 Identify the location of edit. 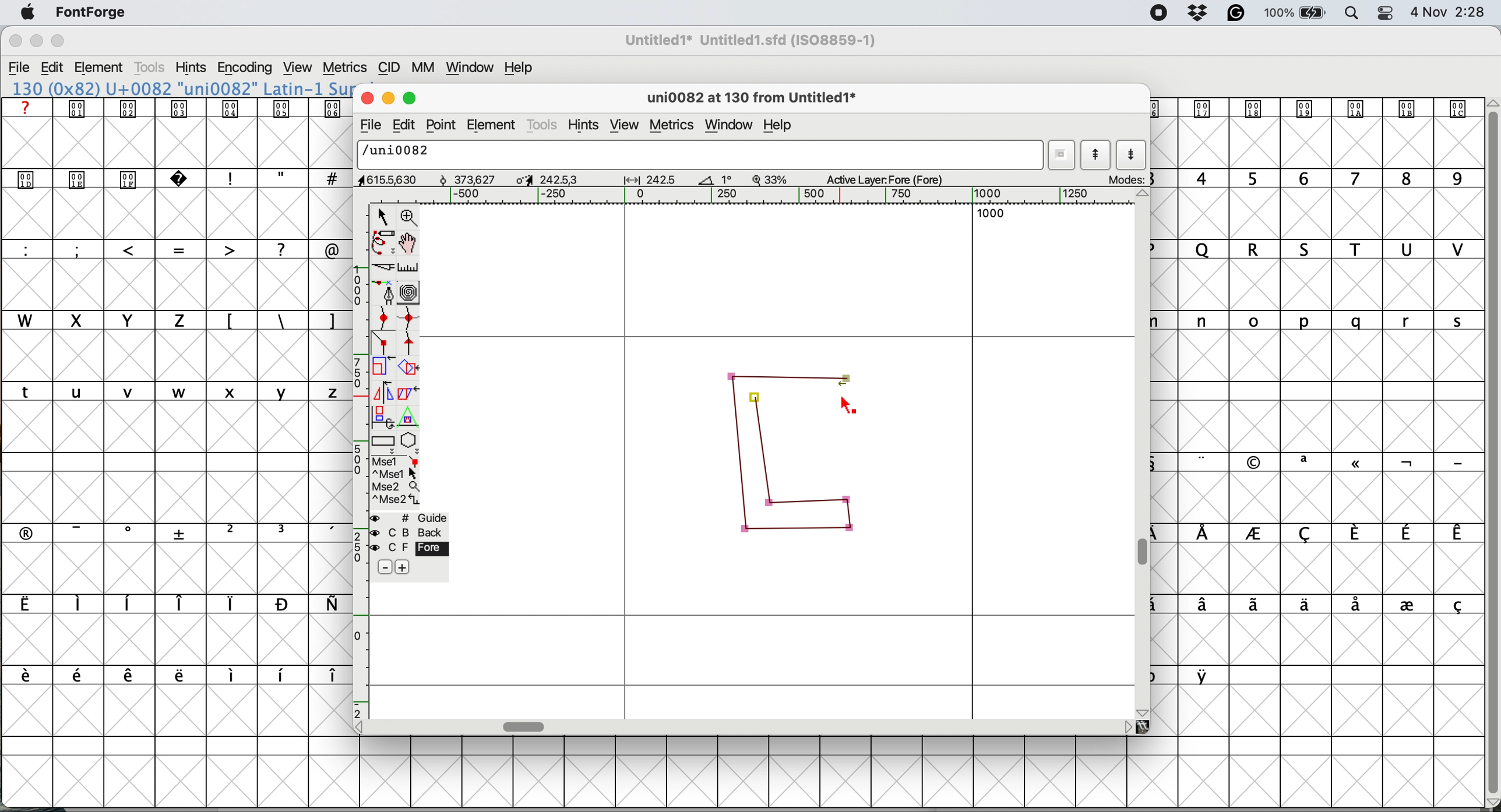
(52, 68).